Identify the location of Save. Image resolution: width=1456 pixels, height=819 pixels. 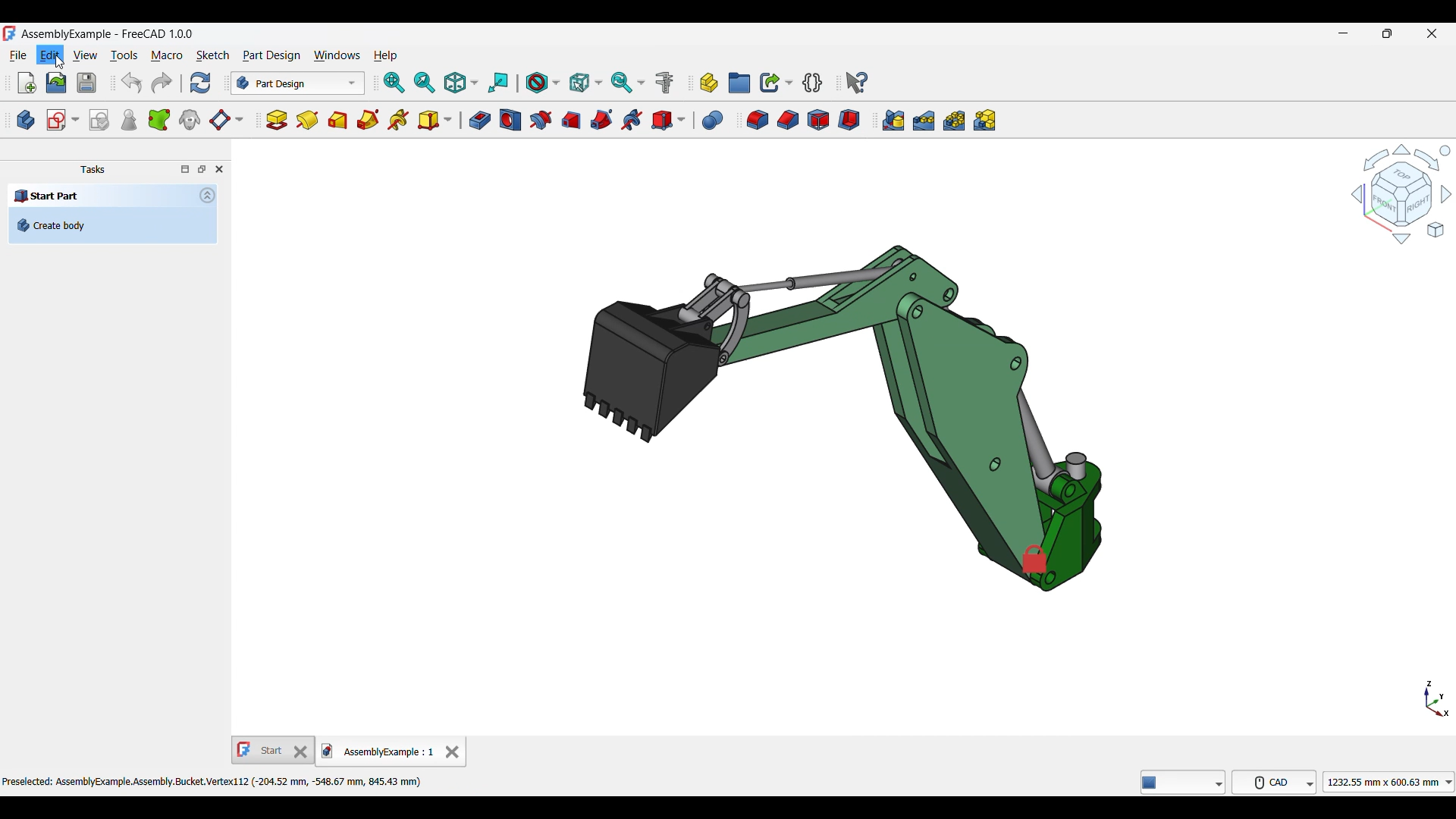
(86, 83).